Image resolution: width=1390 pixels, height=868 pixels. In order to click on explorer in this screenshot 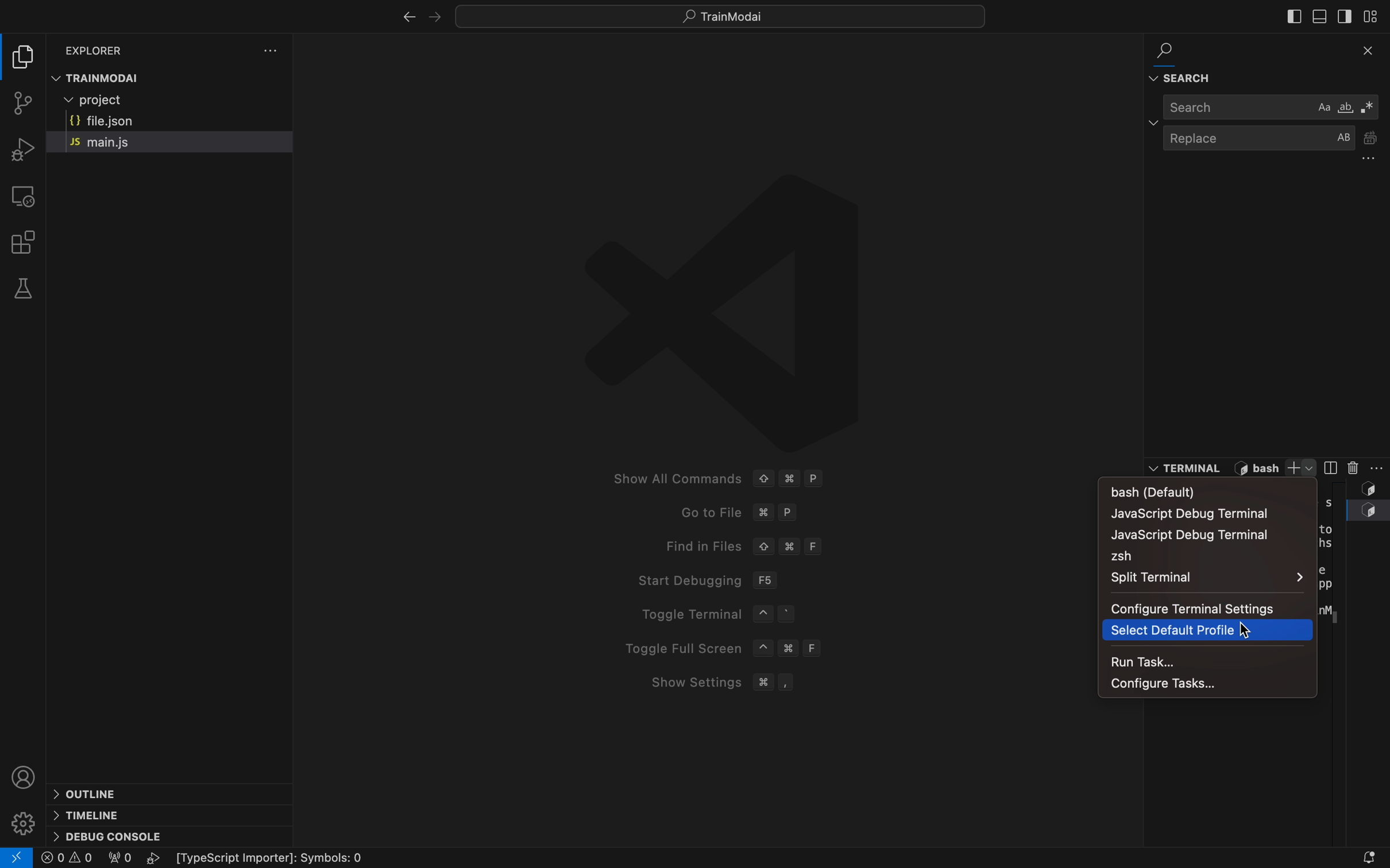, I will do `click(99, 49)`.